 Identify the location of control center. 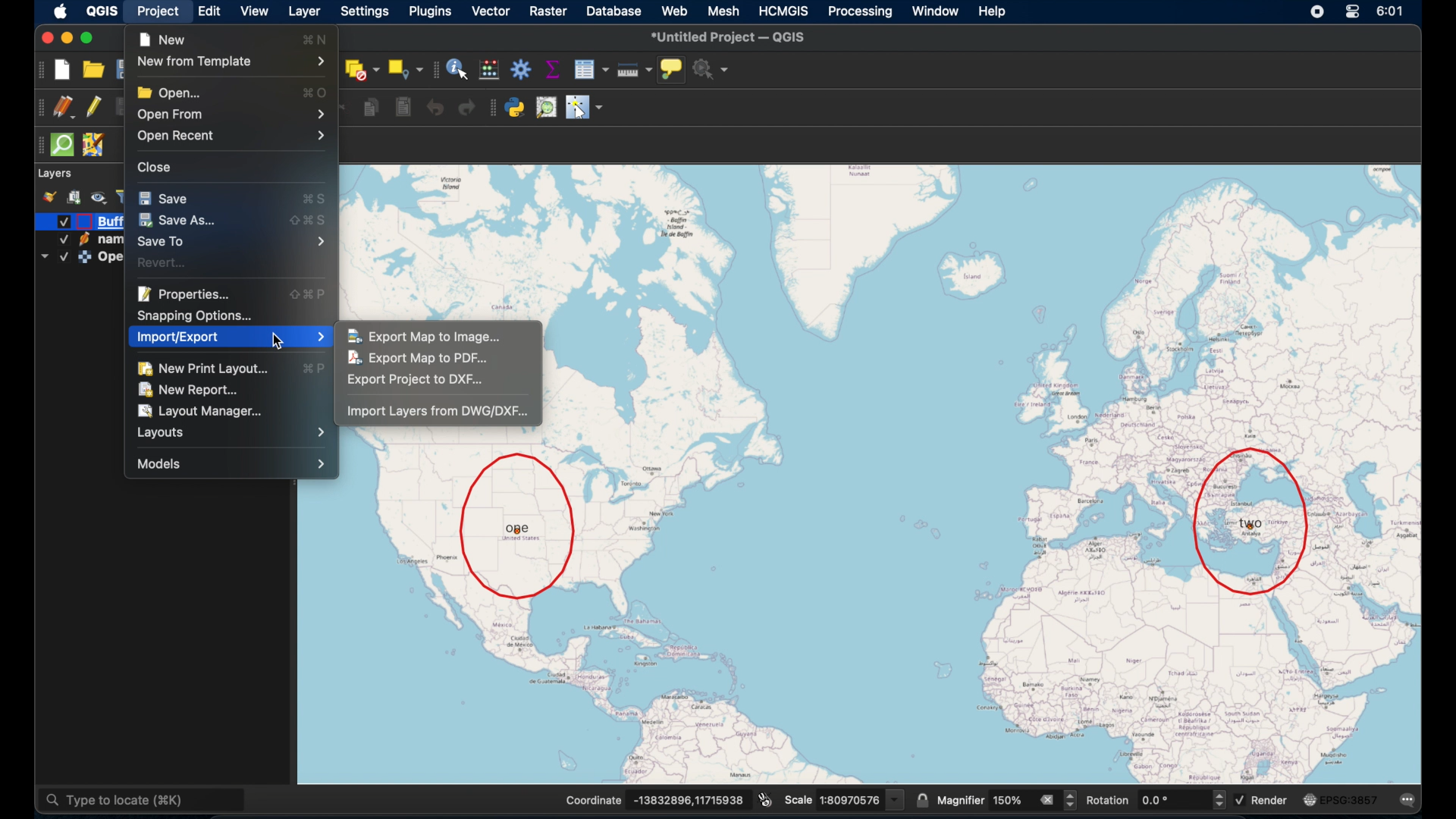
(1316, 11).